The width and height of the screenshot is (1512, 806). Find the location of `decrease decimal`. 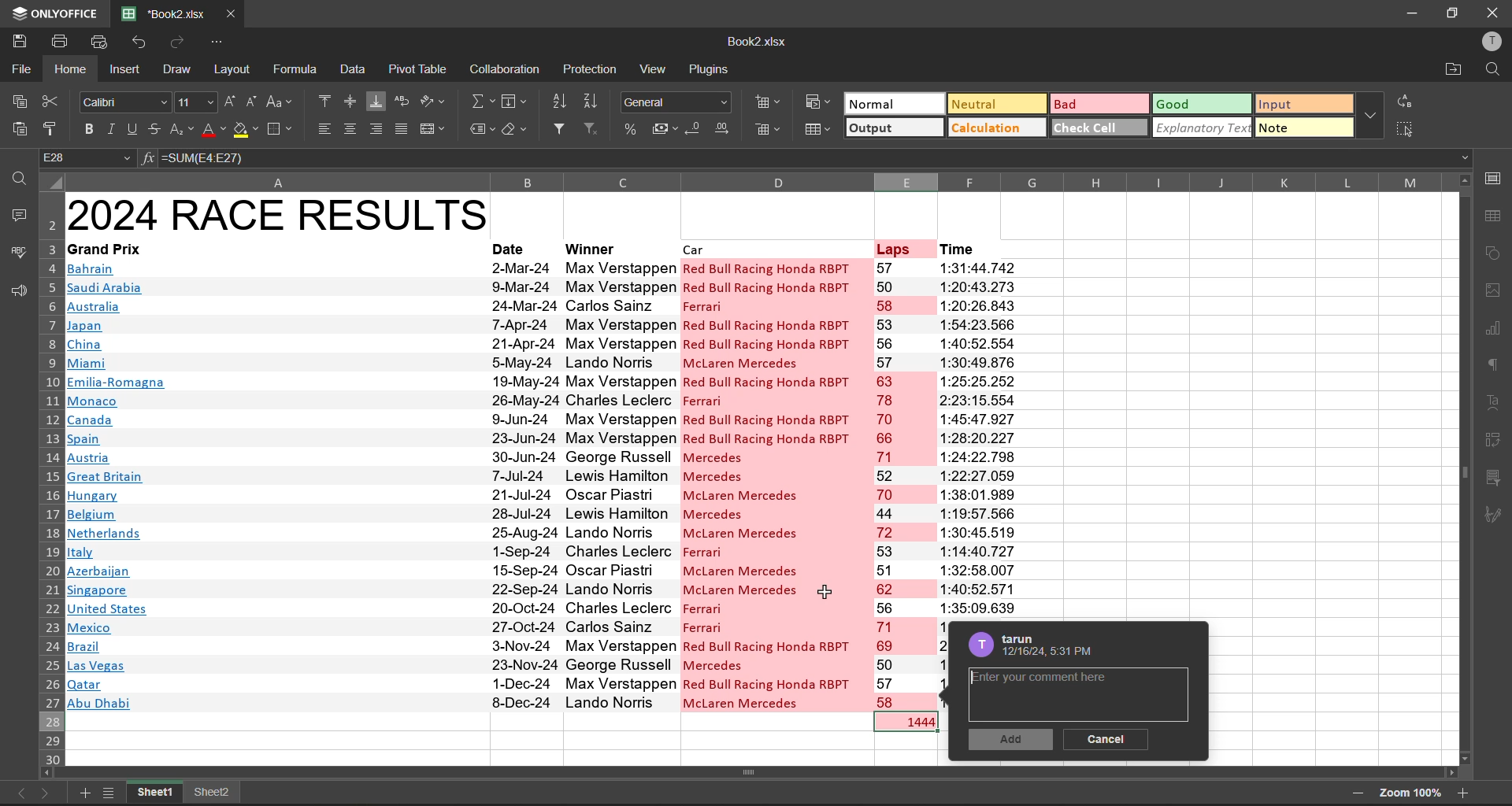

decrease decimal is located at coordinates (695, 128).